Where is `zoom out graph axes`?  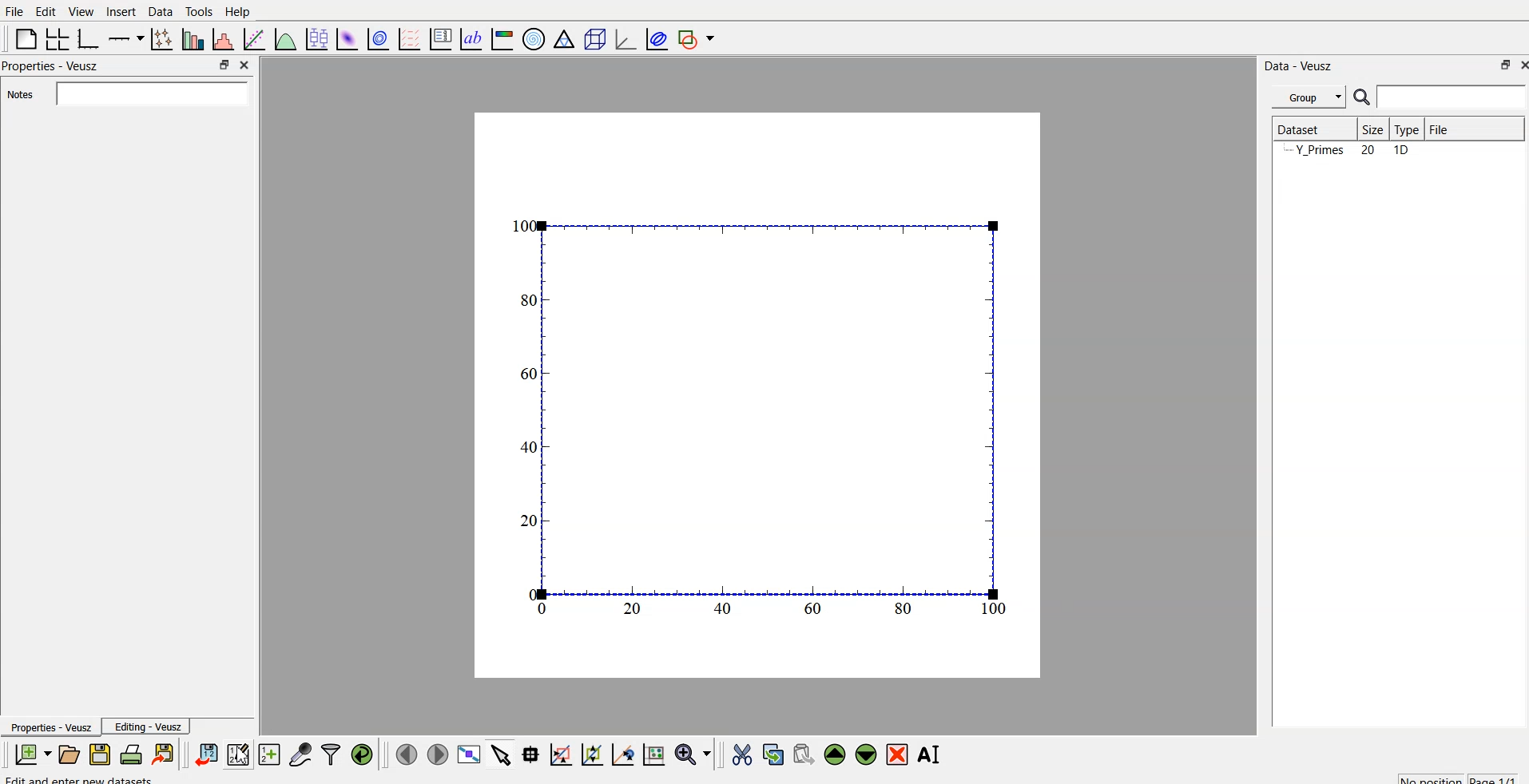 zoom out graph axes is located at coordinates (621, 754).